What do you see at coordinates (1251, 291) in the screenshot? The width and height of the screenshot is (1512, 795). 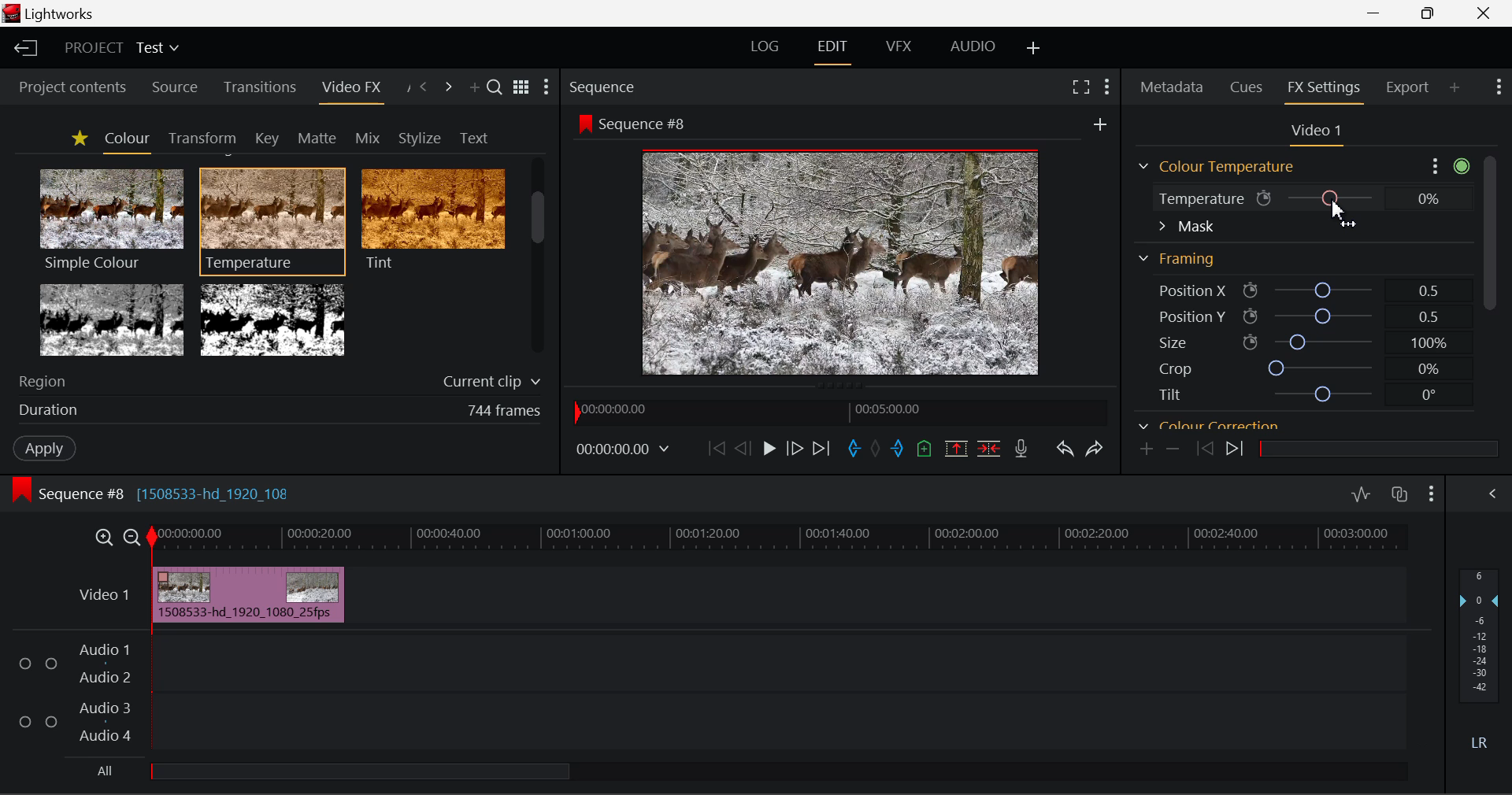 I see `icon` at bounding box center [1251, 291].